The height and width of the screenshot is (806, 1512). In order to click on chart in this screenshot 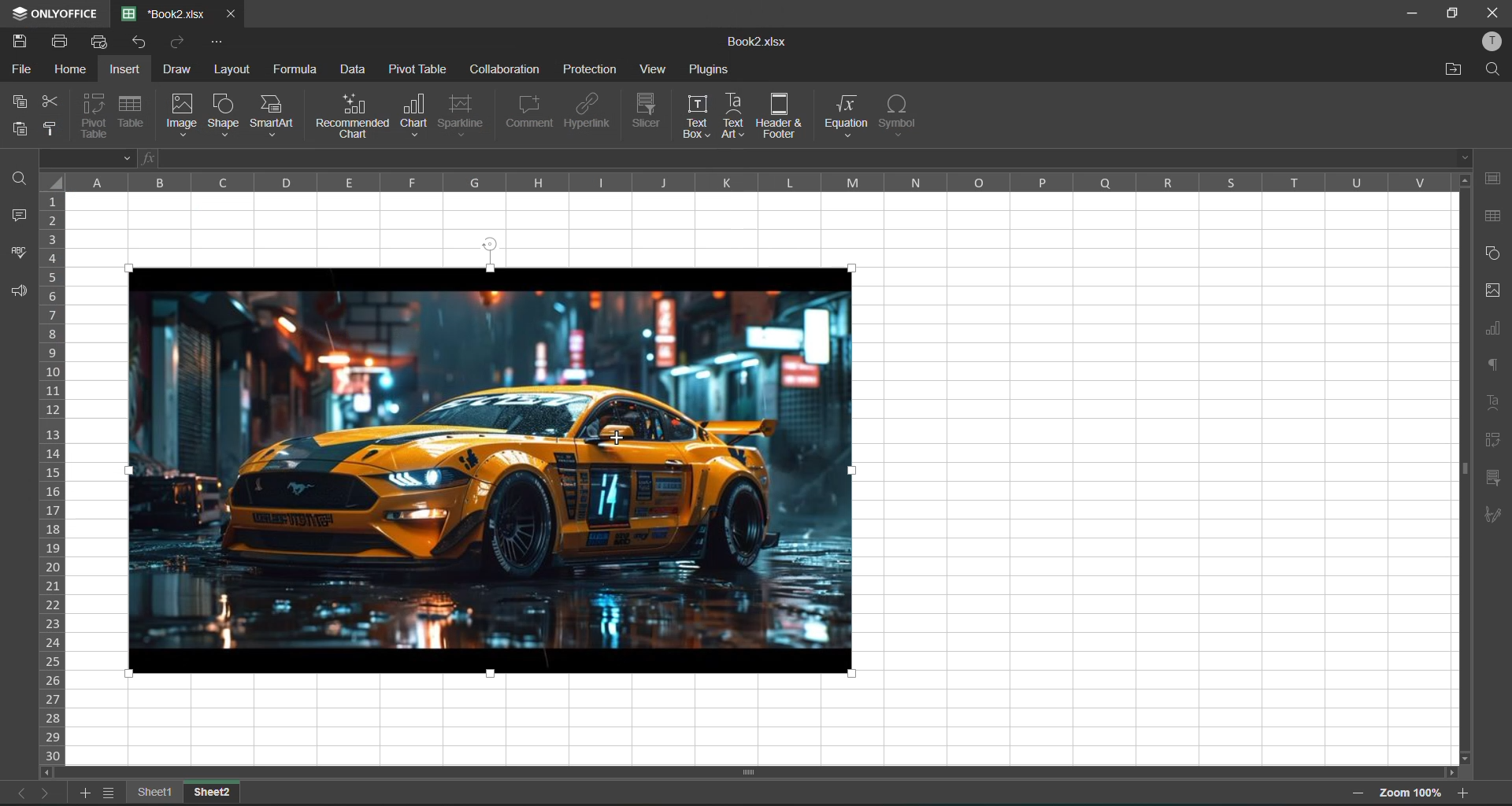, I will do `click(417, 114)`.